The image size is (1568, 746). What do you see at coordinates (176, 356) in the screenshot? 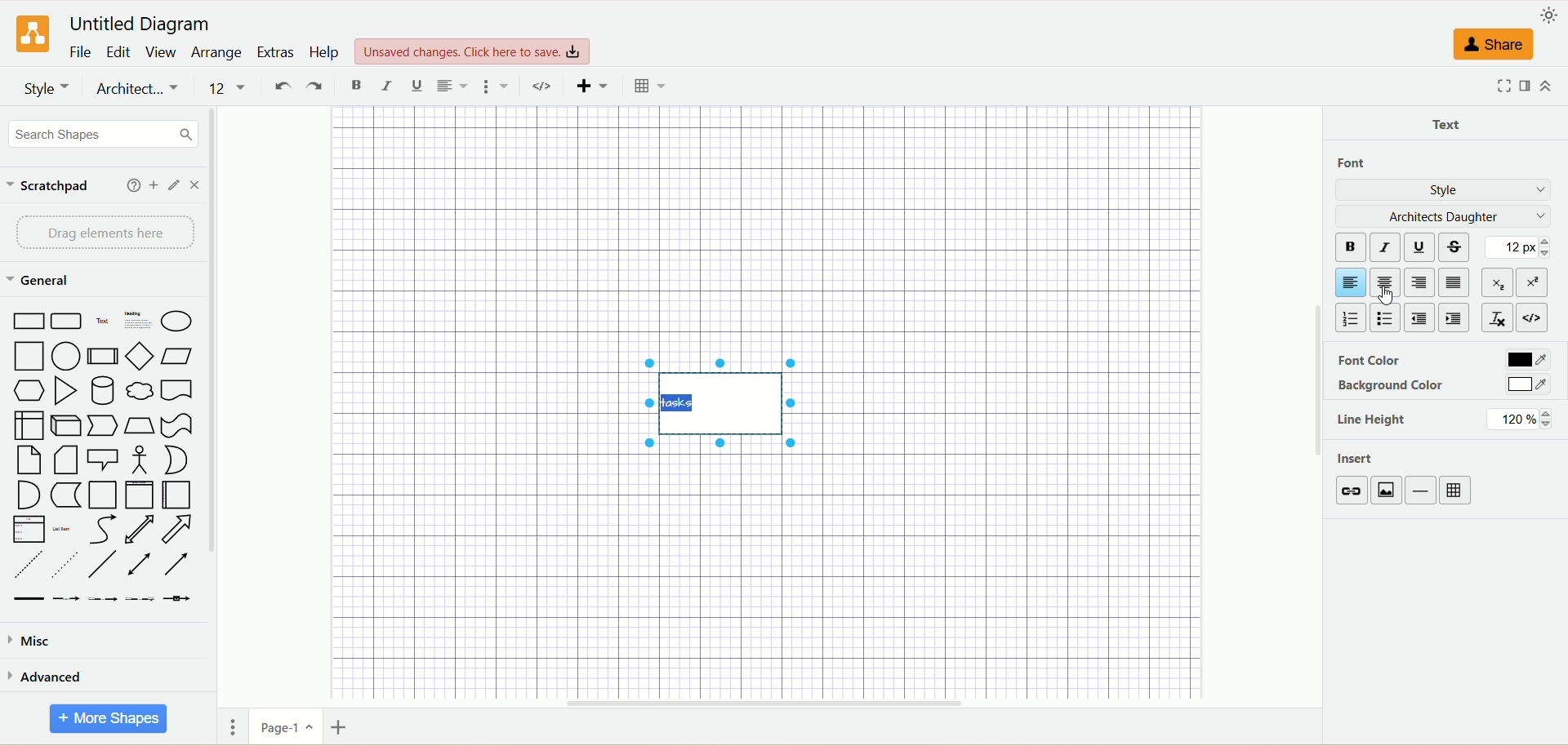
I see `Parallelogram` at bounding box center [176, 356].